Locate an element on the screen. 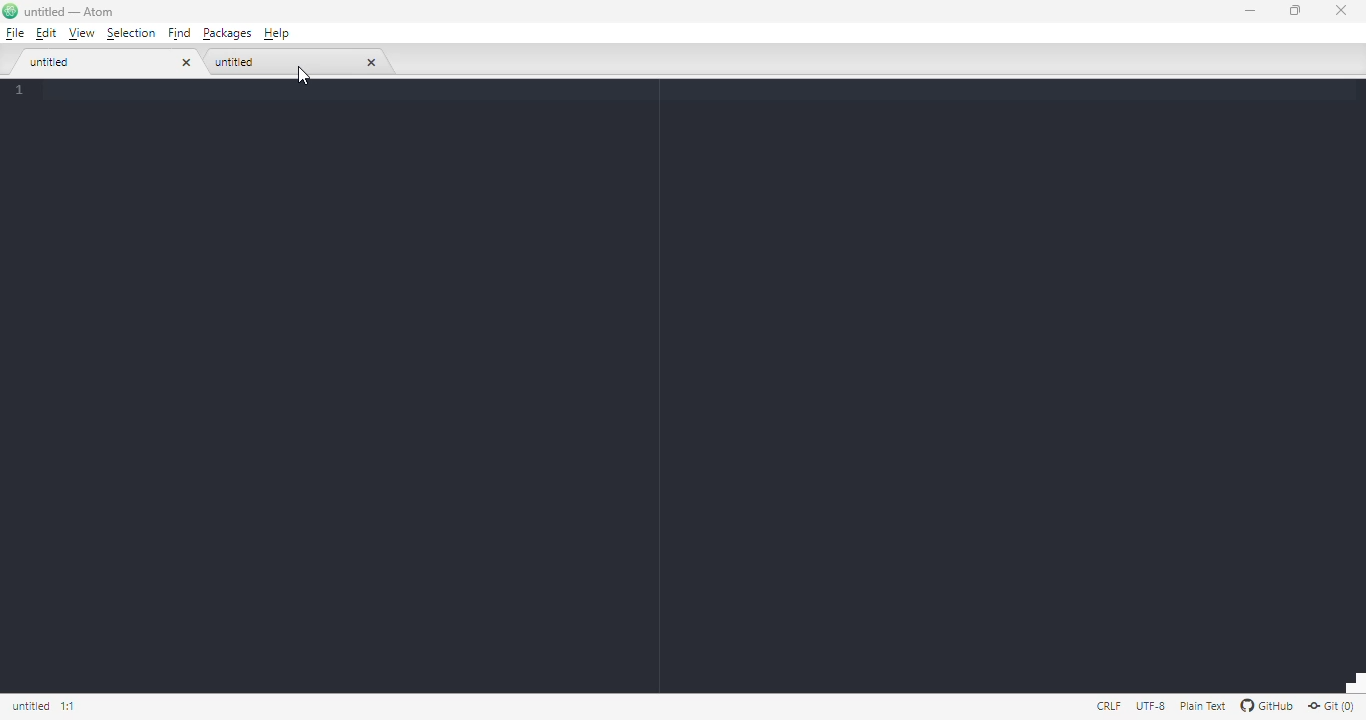  minimize is located at coordinates (1249, 10).